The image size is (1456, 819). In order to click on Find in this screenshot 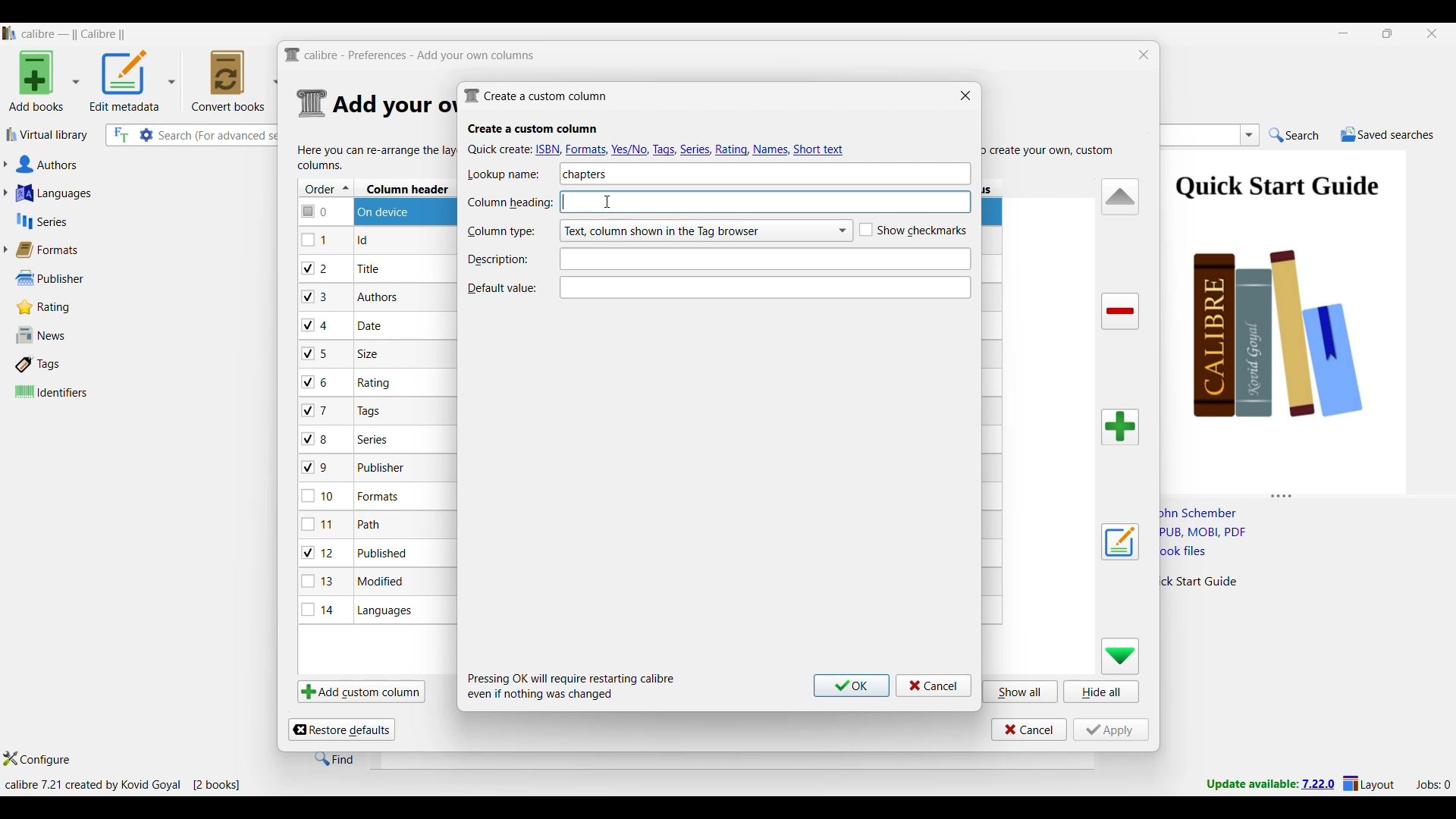, I will do `click(334, 758)`.